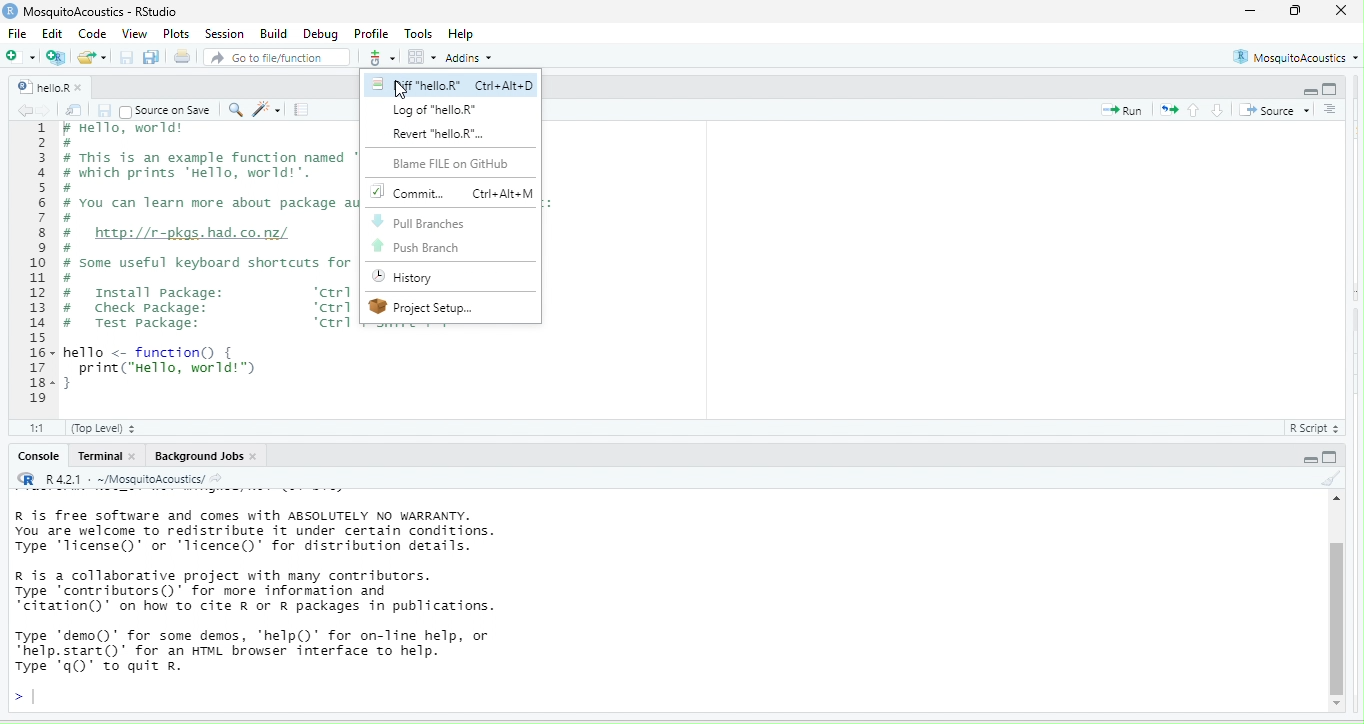 This screenshot has height=724, width=1364. What do you see at coordinates (1318, 427) in the screenshot?
I see `R Script ` at bounding box center [1318, 427].